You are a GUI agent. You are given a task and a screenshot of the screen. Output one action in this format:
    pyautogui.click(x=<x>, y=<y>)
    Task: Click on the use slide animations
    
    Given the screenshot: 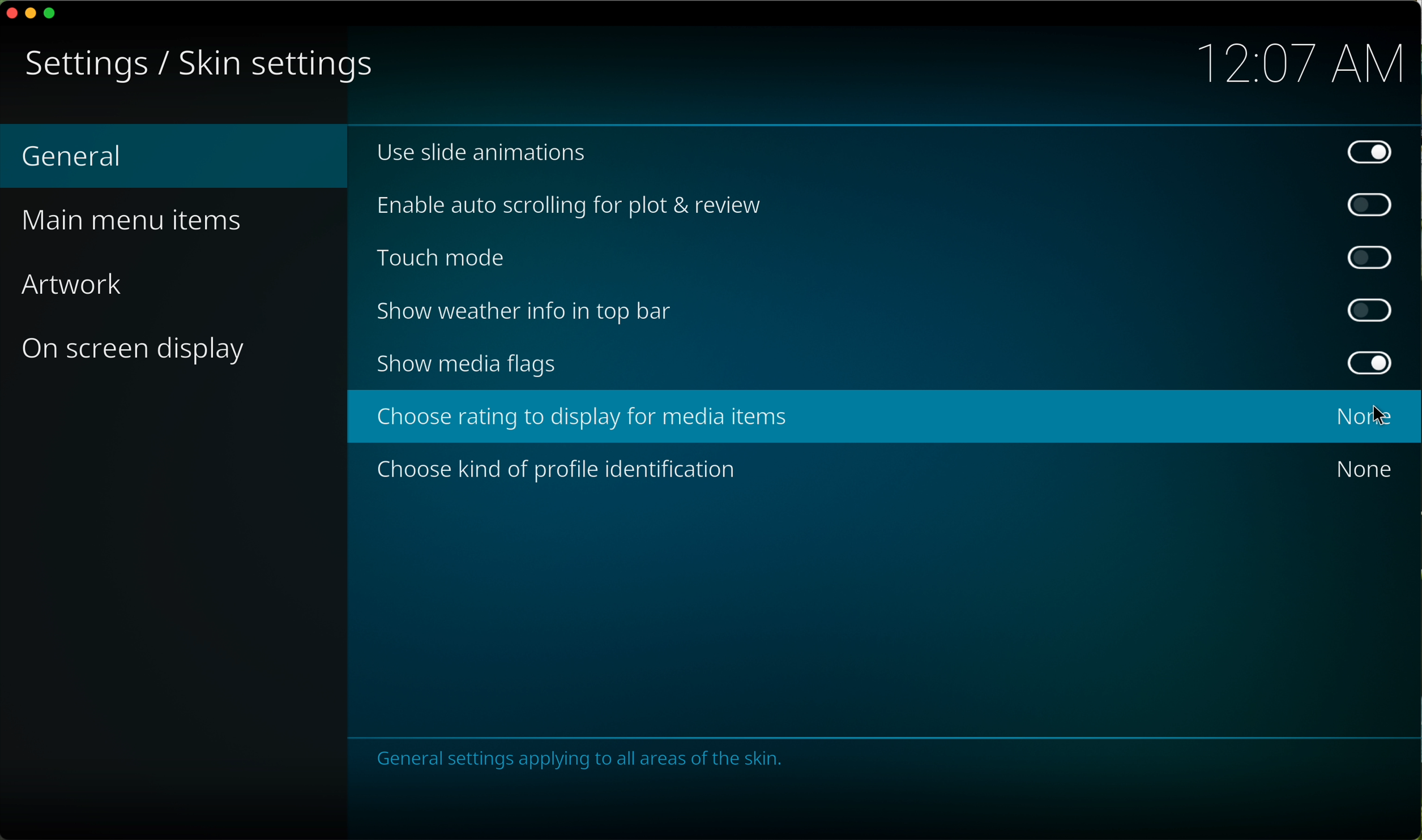 What is the action you would take?
    pyautogui.click(x=887, y=152)
    